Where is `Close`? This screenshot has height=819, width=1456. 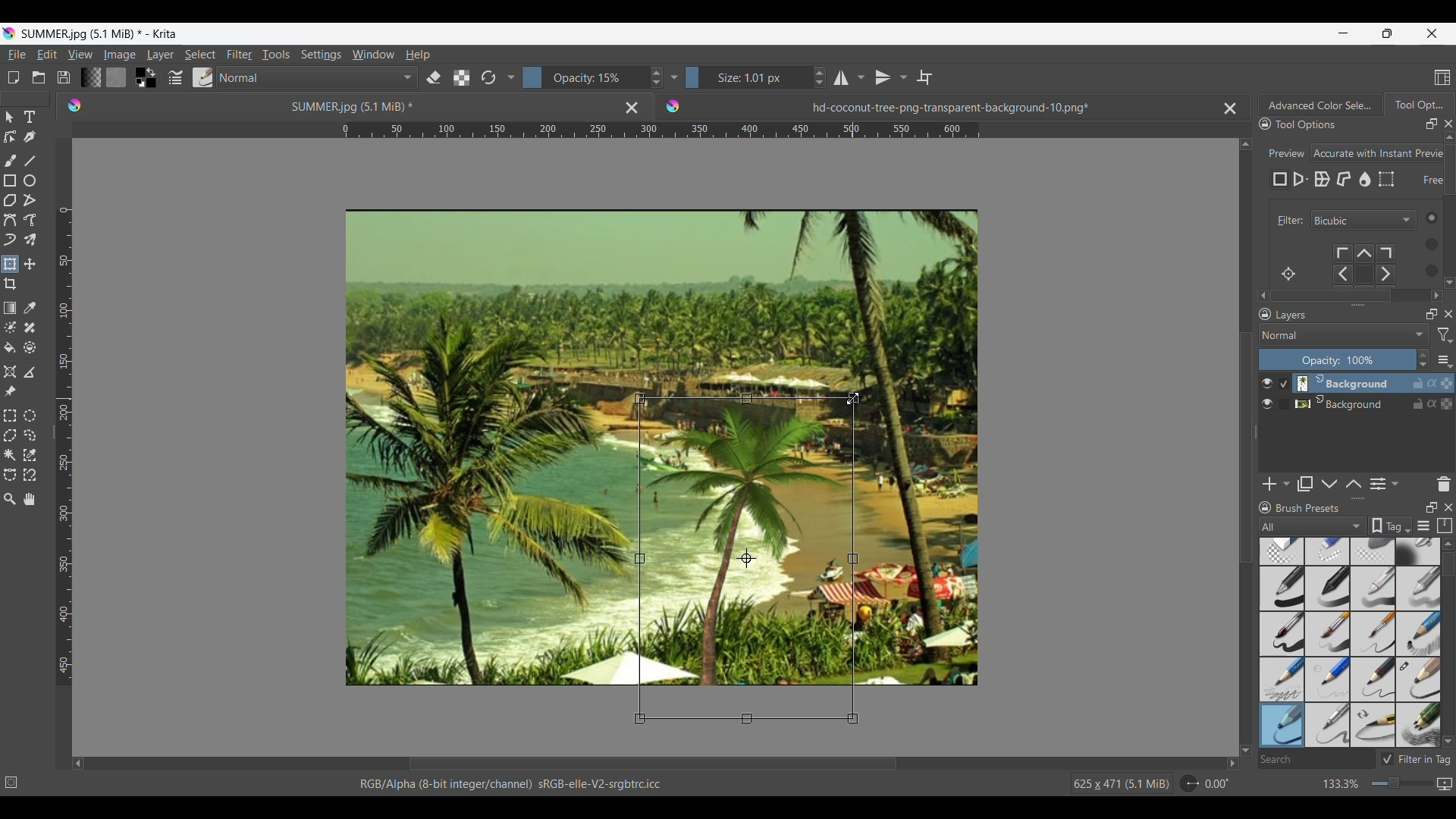 Close is located at coordinates (632, 107).